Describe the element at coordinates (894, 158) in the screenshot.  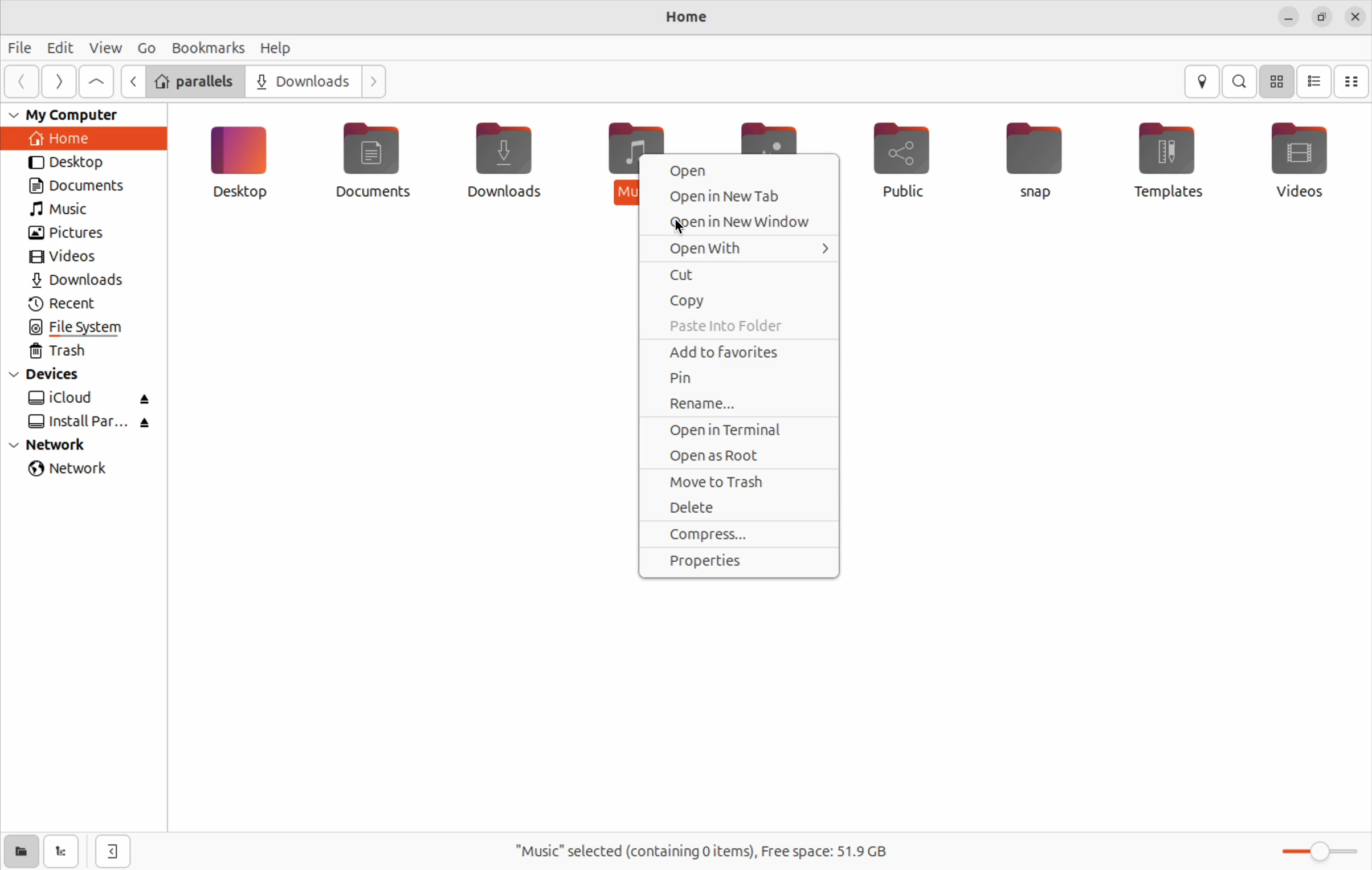
I see `Public Files` at that location.